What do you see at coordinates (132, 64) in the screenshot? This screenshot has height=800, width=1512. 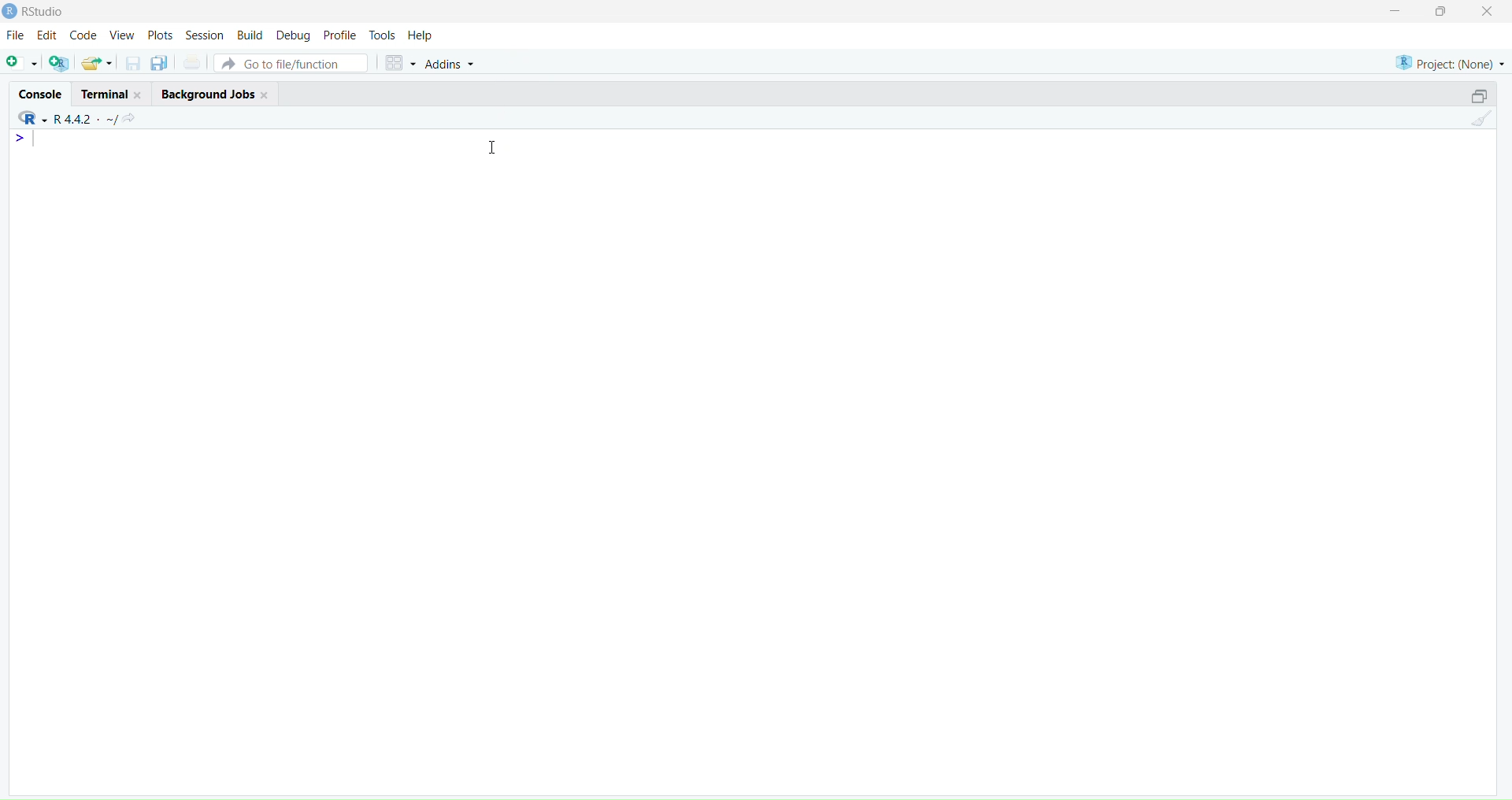 I see `save current document` at bounding box center [132, 64].